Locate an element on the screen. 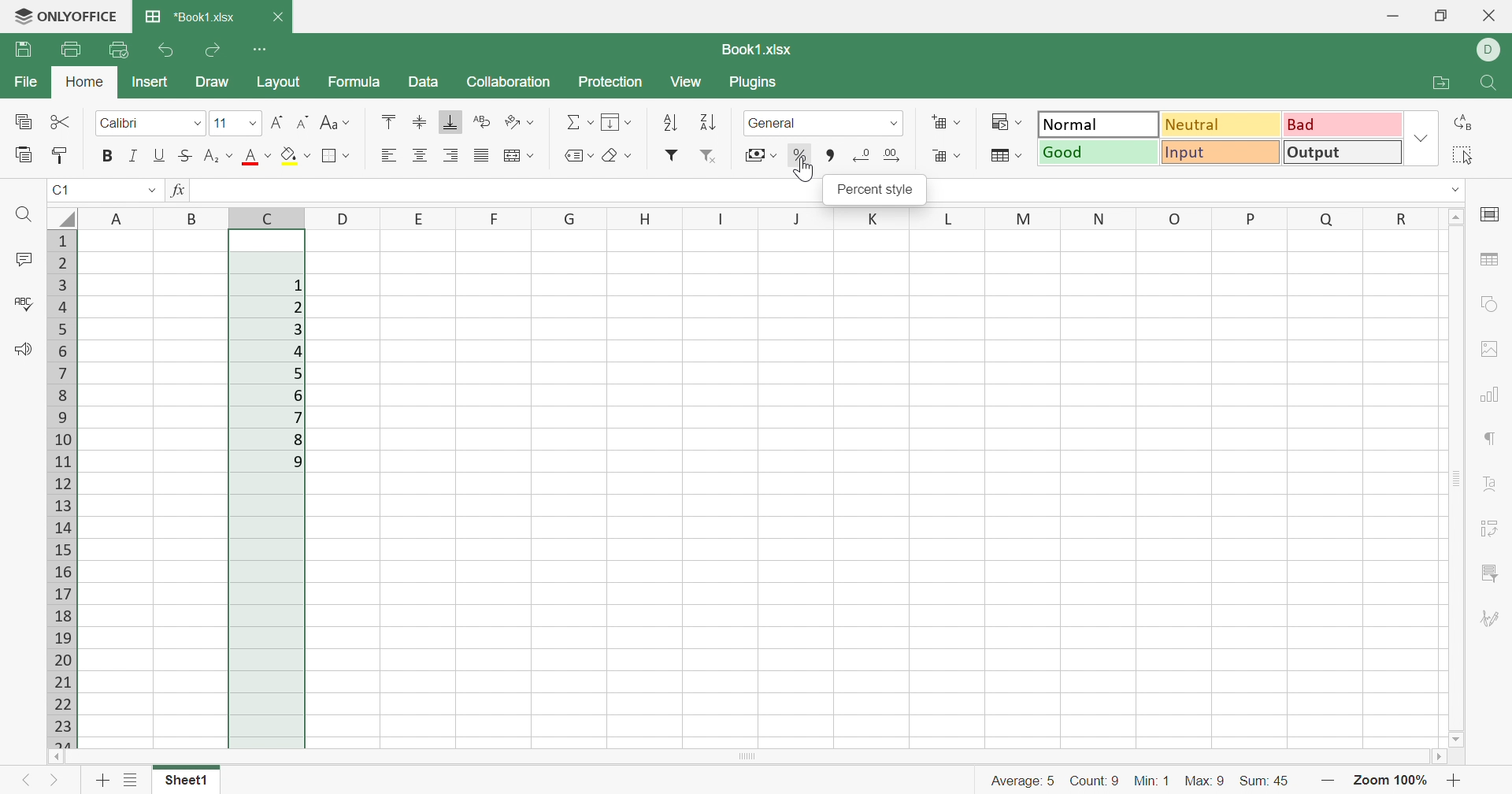 The width and height of the screenshot is (1512, 794). Remove filter is located at coordinates (714, 155).